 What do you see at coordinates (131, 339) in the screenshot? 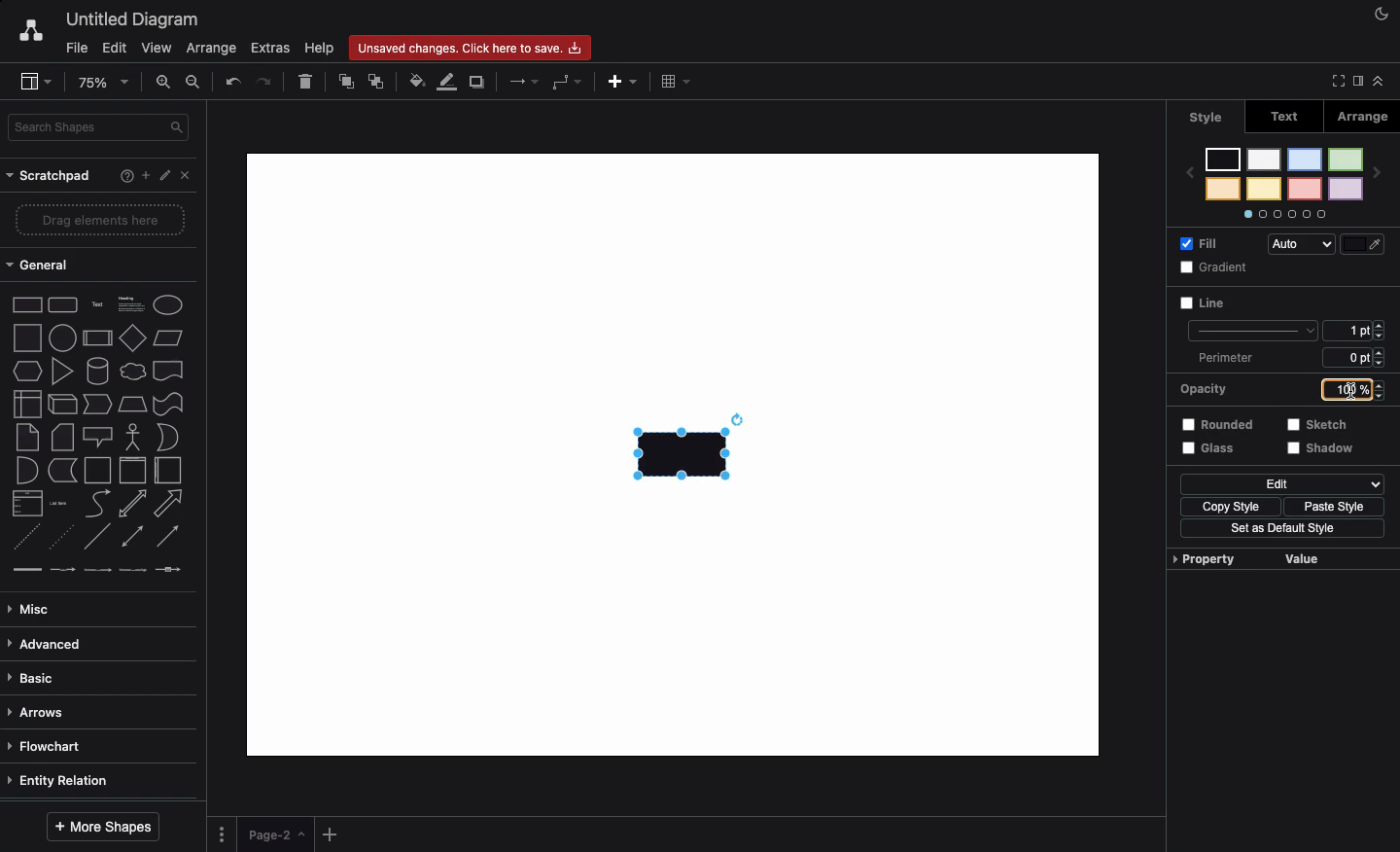
I see `diamond` at bounding box center [131, 339].